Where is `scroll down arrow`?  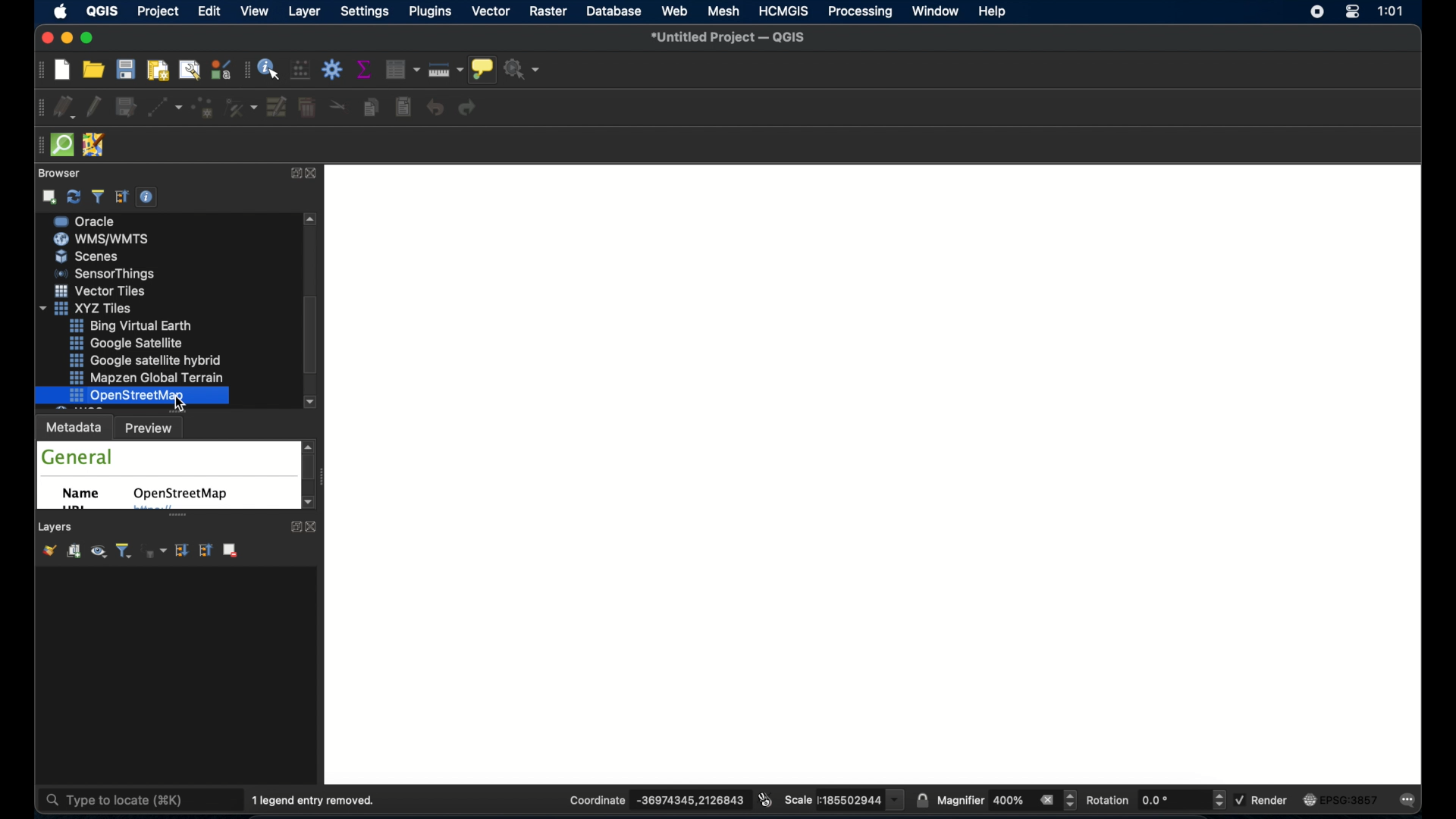 scroll down arrow is located at coordinates (310, 504).